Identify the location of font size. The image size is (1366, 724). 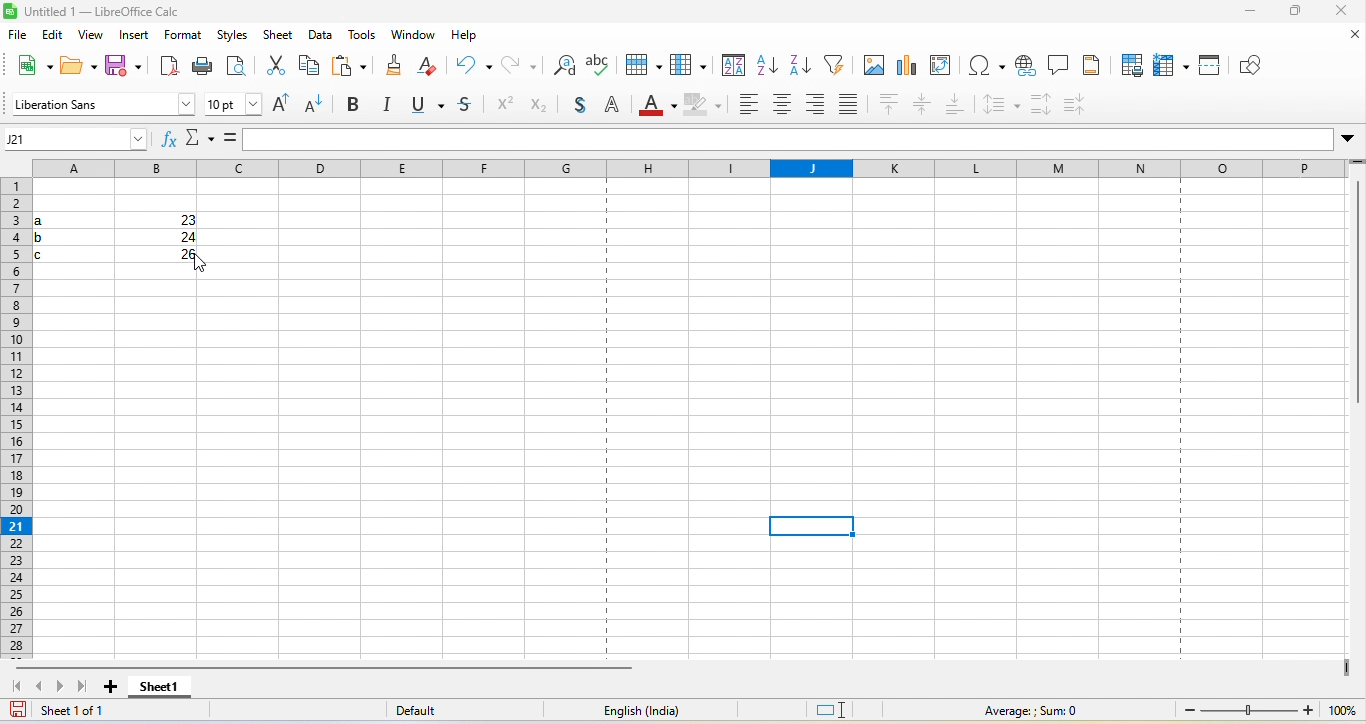
(230, 105).